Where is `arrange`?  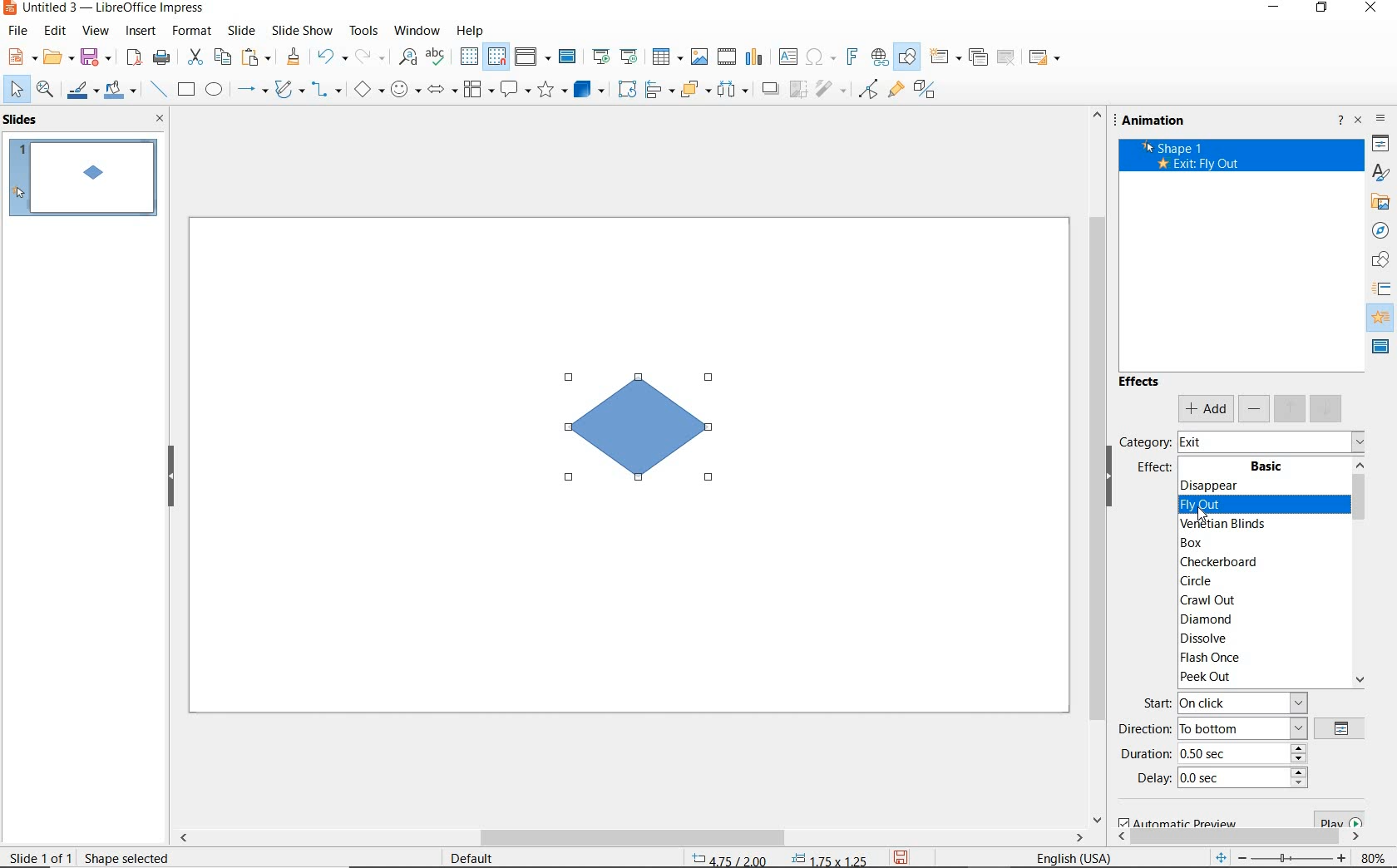
arrange is located at coordinates (693, 91).